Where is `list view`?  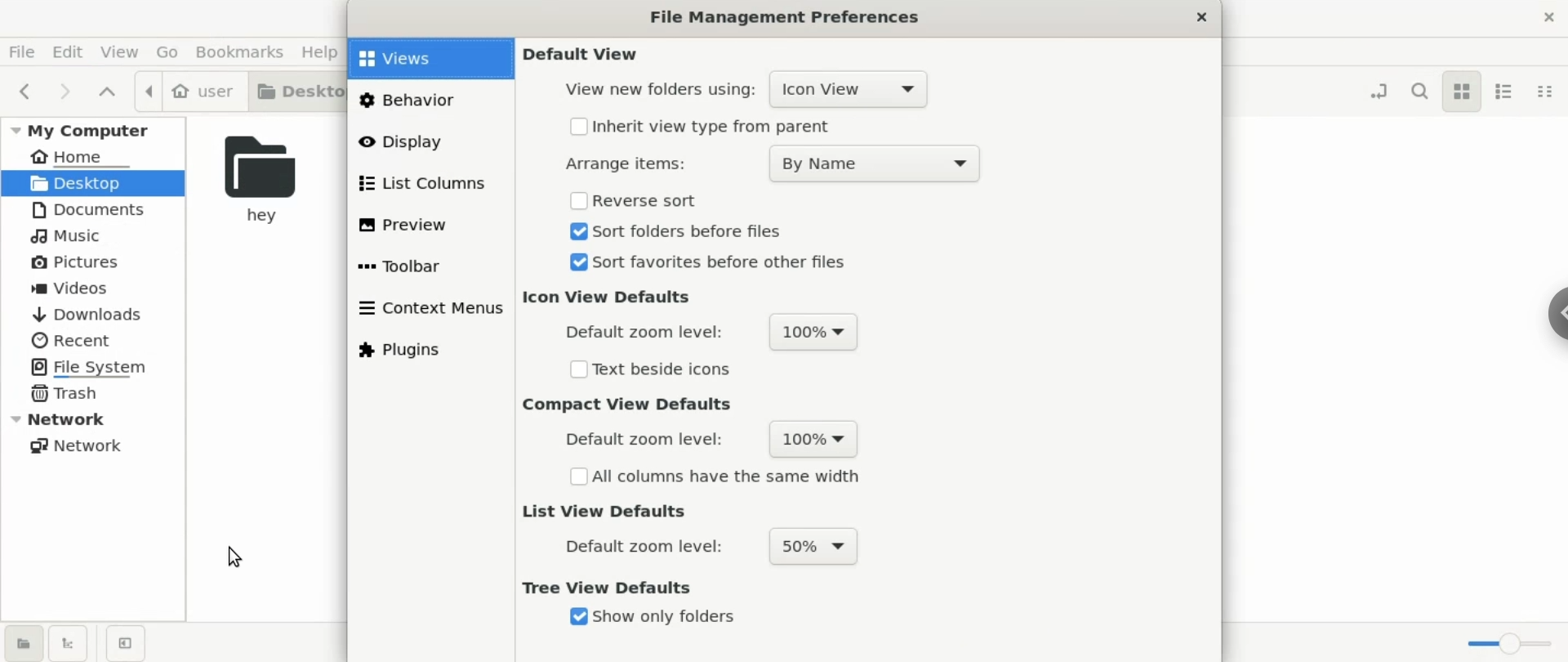 list view is located at coordinates (1506, 91).